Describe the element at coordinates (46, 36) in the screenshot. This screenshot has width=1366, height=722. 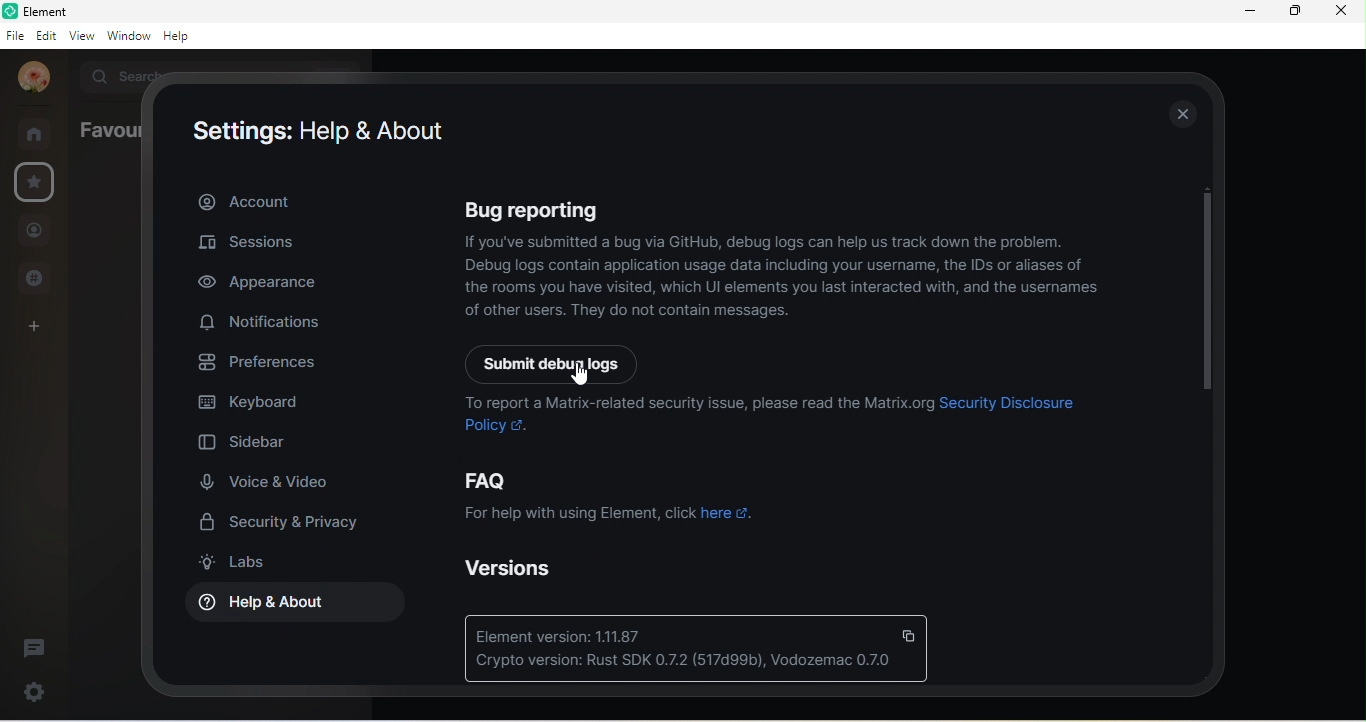
I see `edit` at that location.